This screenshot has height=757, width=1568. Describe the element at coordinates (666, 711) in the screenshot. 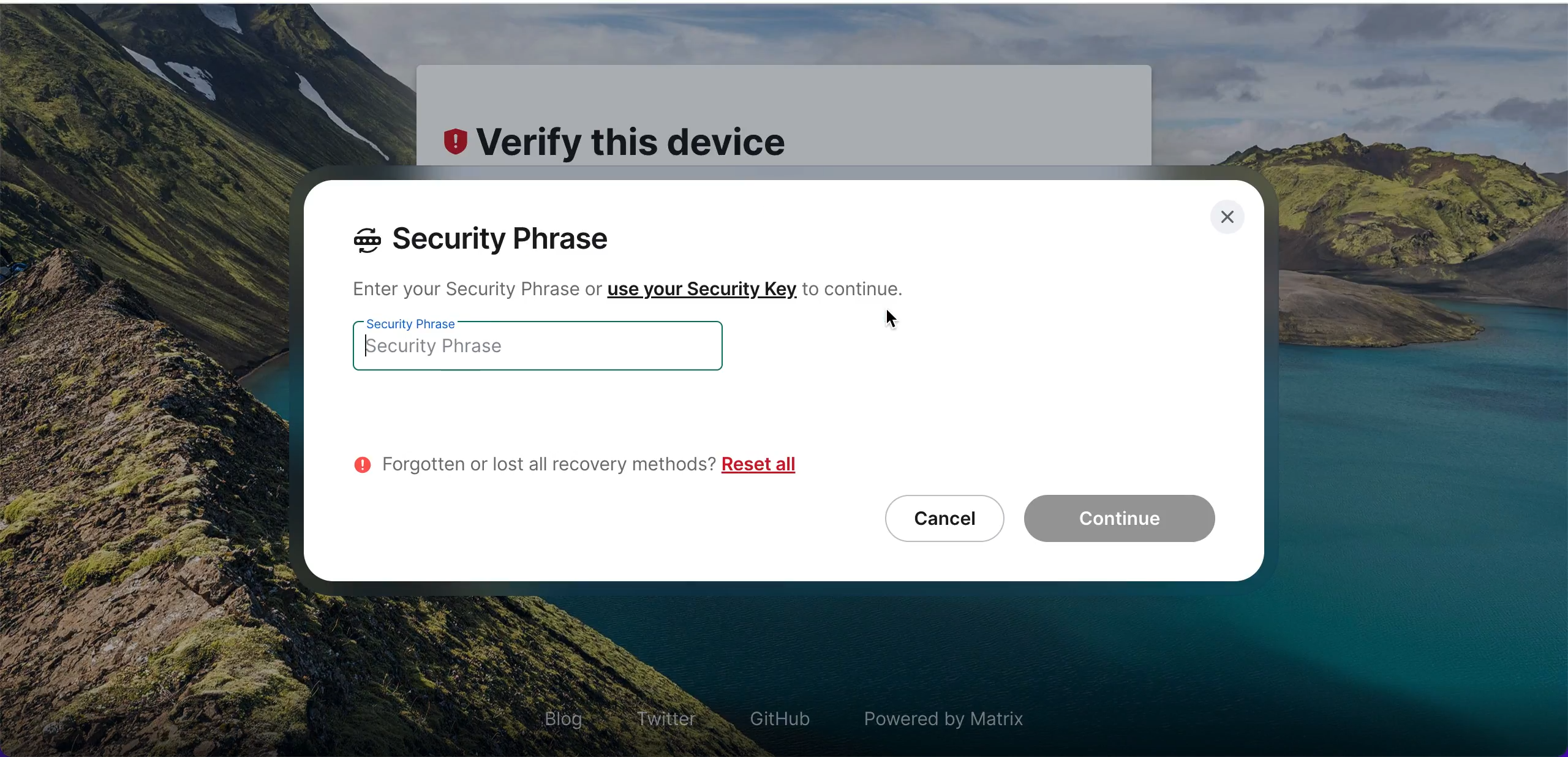

I see `twitter` at that location.